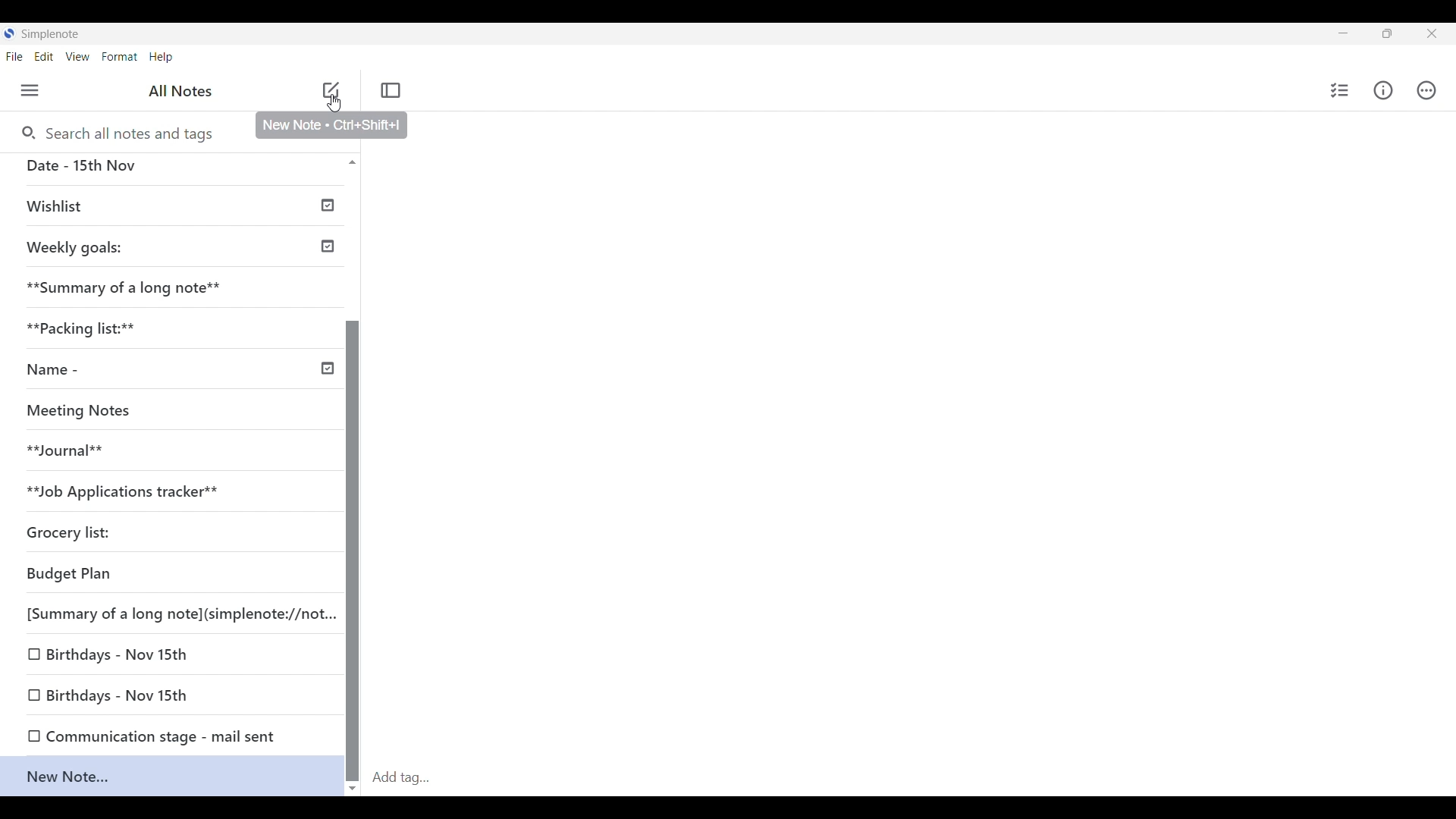 The width and height of the screenshot is (1456, 819). I want to click on Description of current selection, so click(331, 125).